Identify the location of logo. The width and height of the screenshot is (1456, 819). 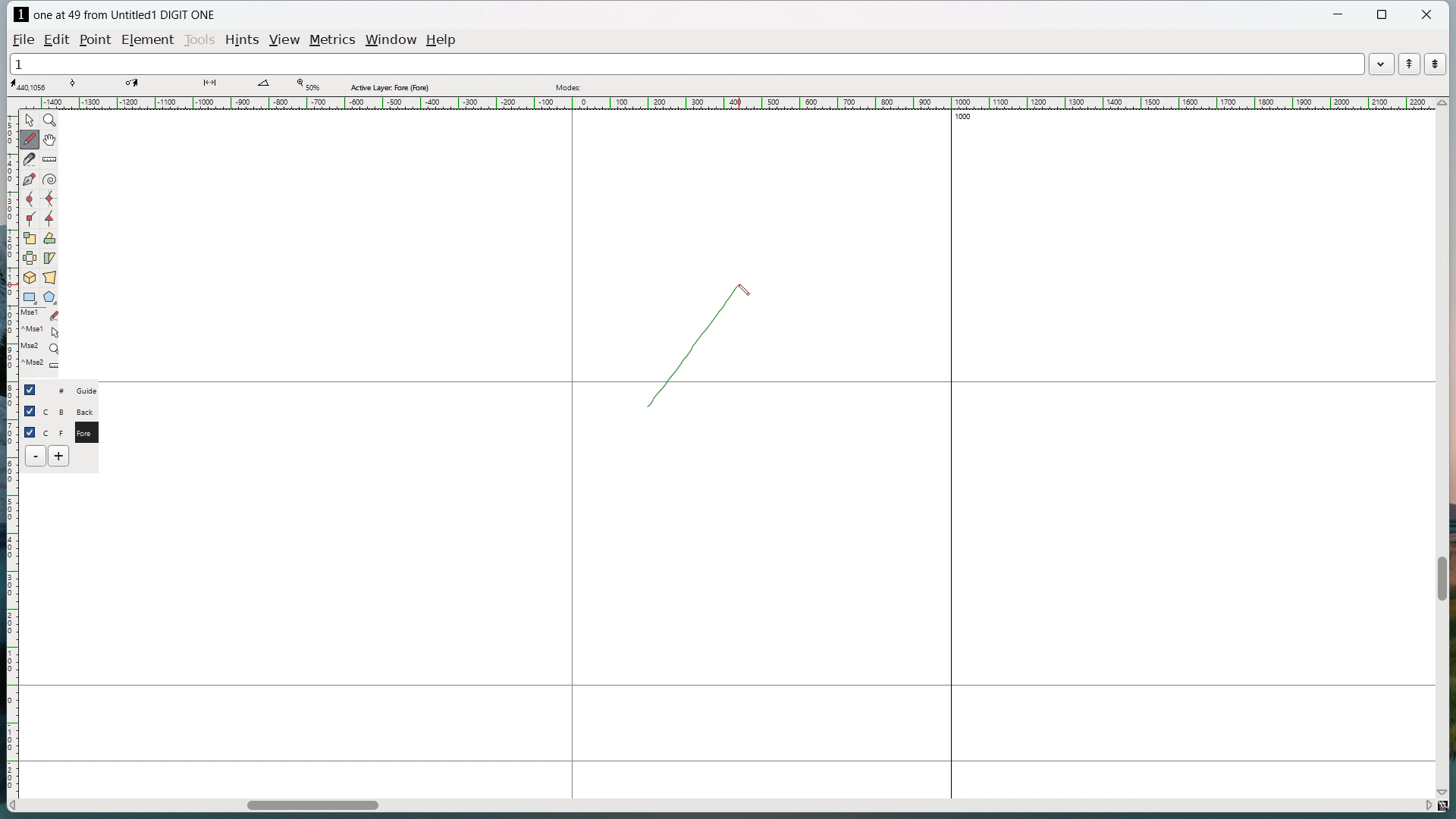
(20, 14).